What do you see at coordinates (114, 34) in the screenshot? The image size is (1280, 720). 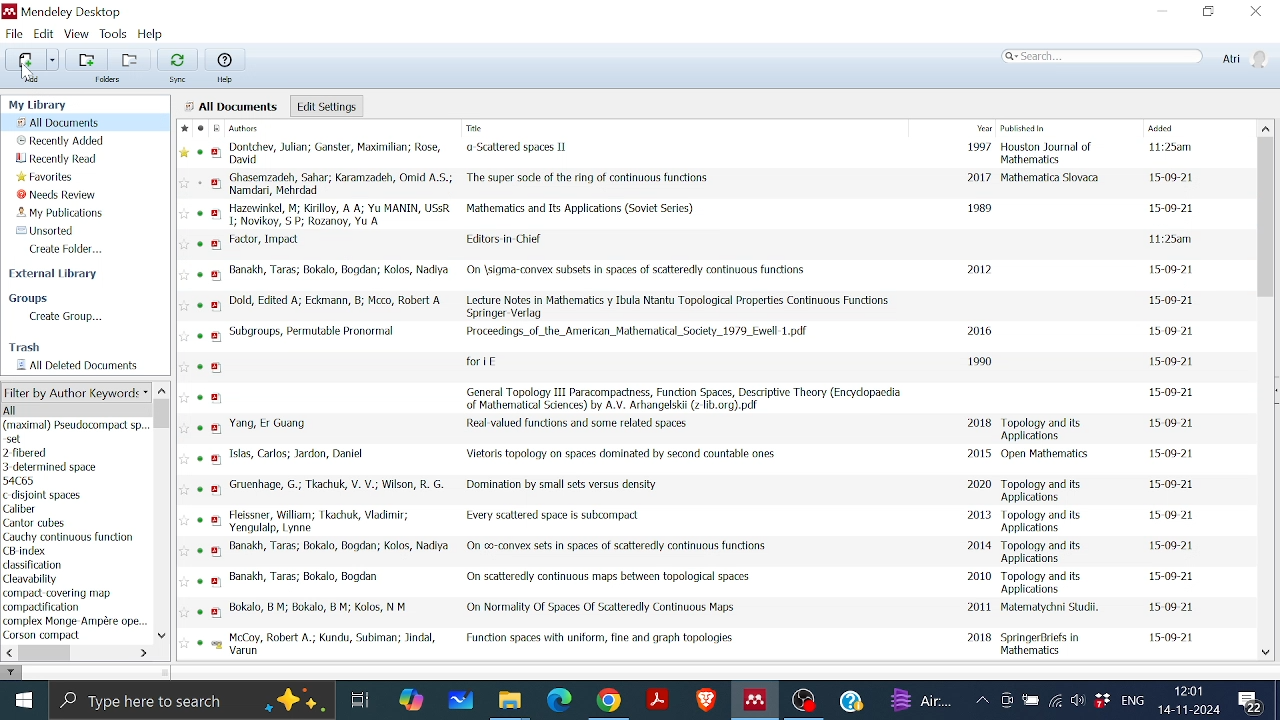 I see `Tools` at bounding box center [114, 34].